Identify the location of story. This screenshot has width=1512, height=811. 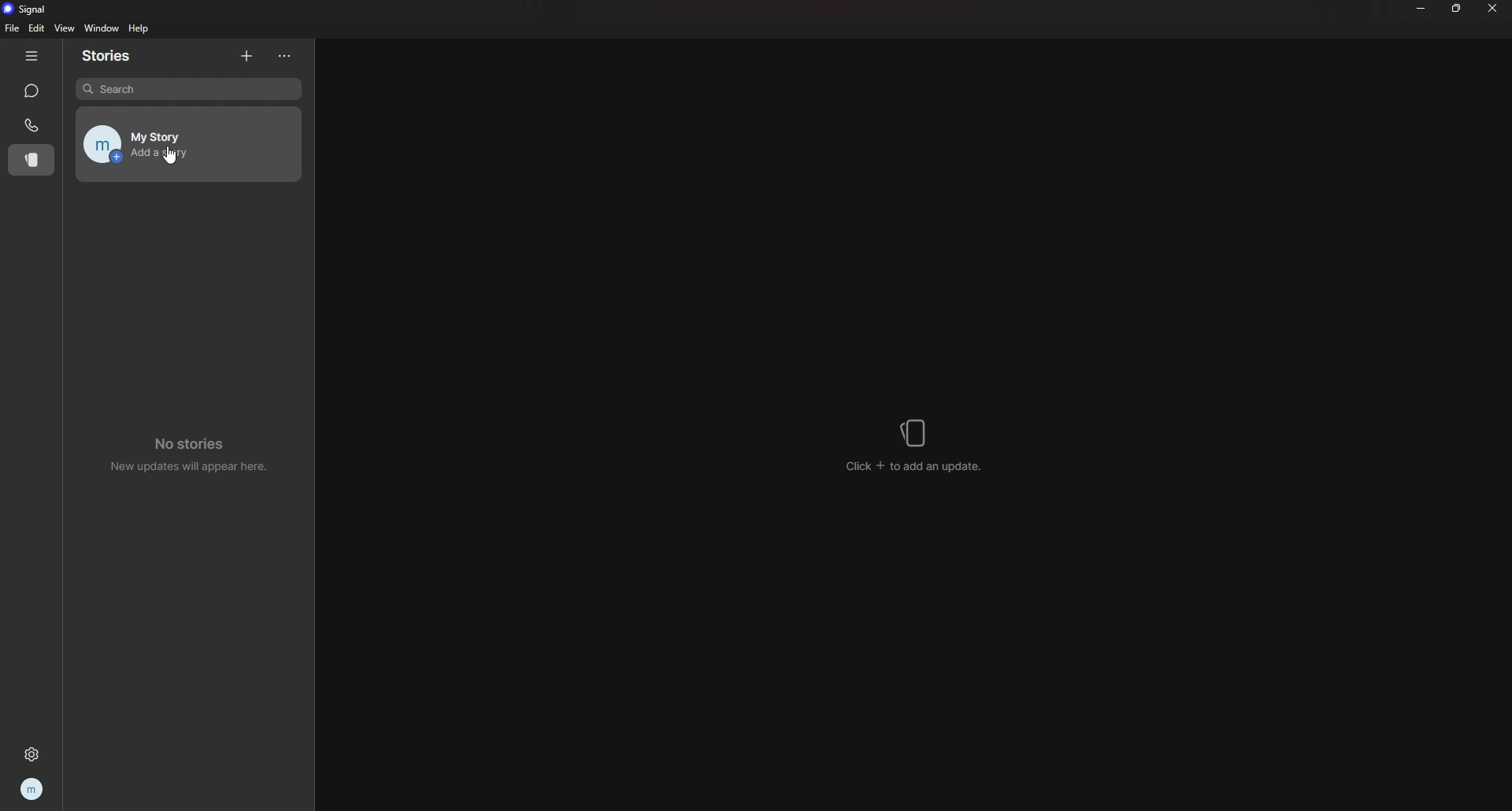
(29, 161).